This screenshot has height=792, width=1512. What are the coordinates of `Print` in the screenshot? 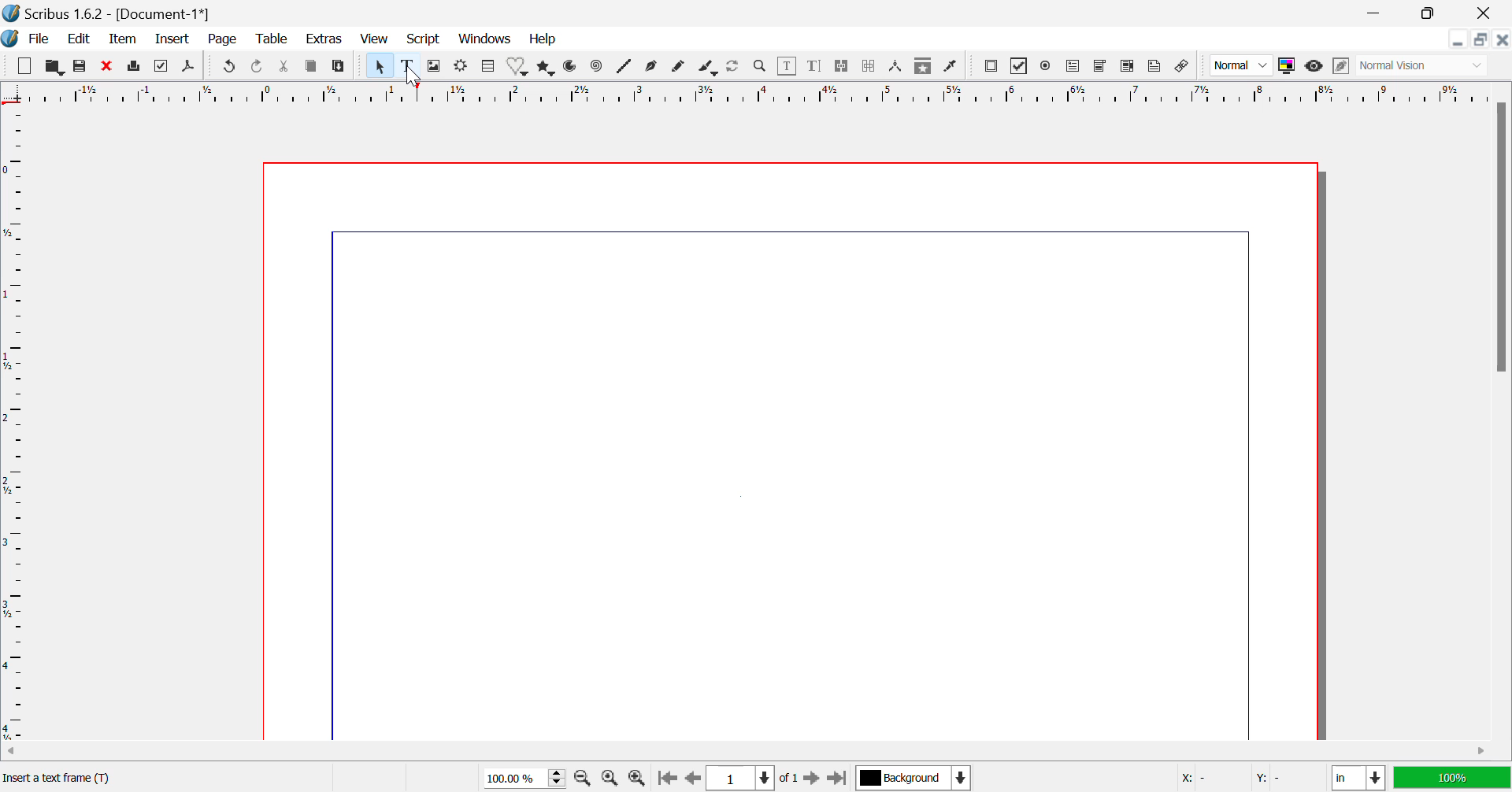 It's located at (134, 68).